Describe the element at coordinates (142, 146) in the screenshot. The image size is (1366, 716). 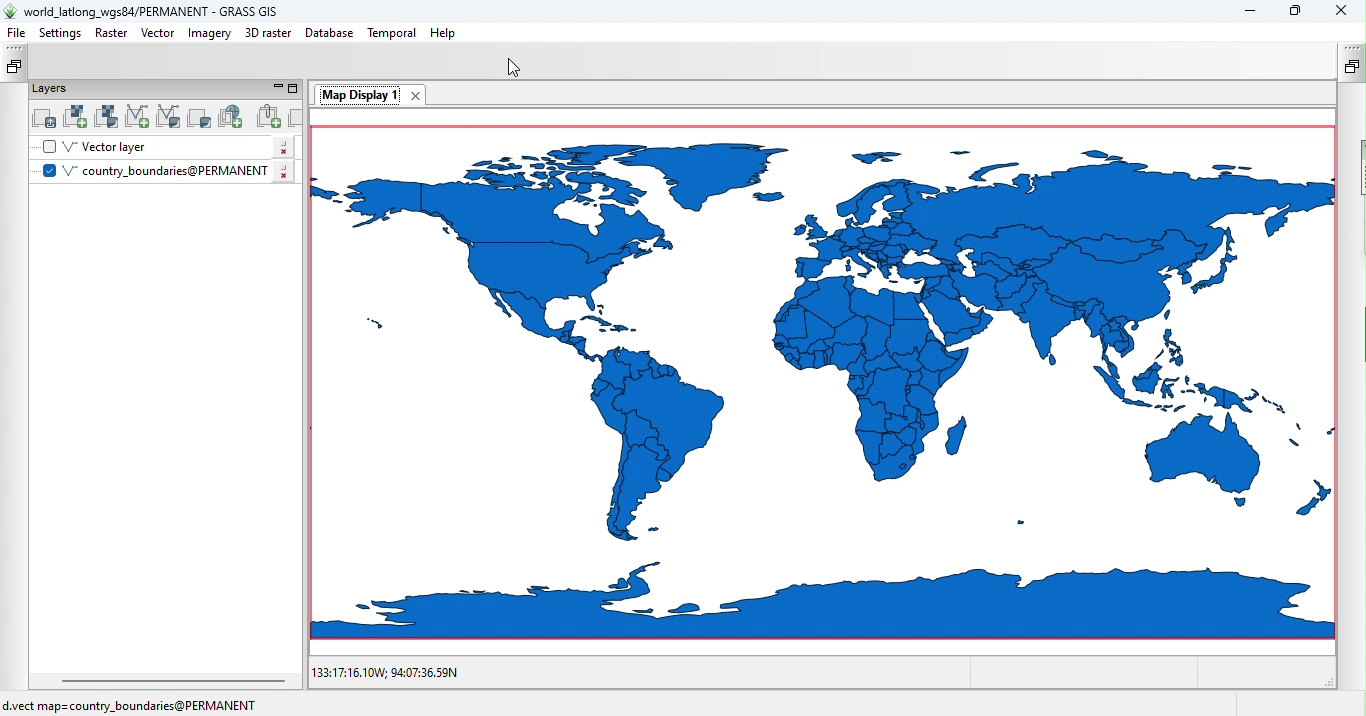
I see `Vector layer` at that location.